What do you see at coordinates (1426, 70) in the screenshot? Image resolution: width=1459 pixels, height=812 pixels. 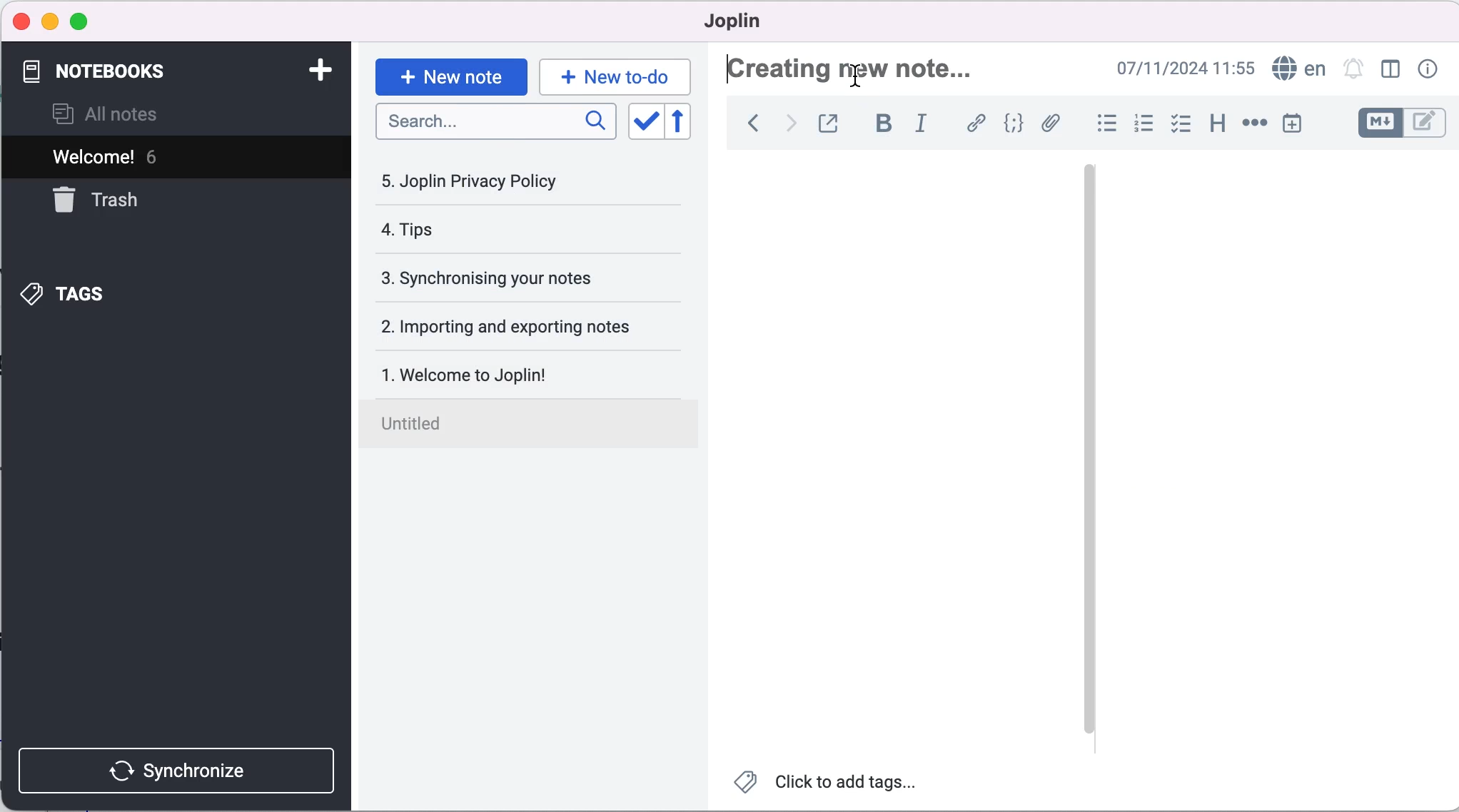 I see `note properties` at bounding box center [1426, 70].